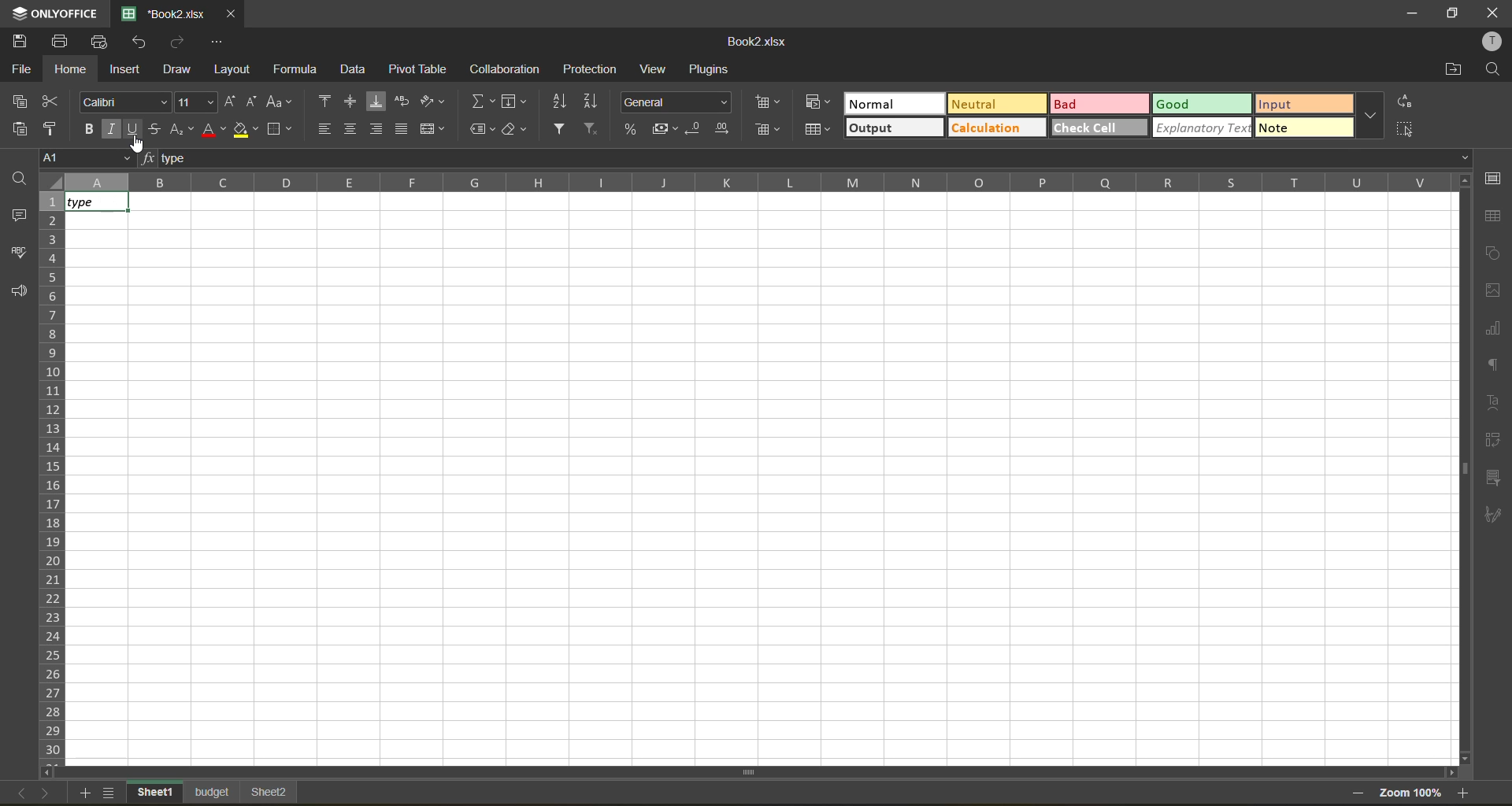  Describe the element at coordinates (15, 793) in the screenshot. I see `previous` at that location.